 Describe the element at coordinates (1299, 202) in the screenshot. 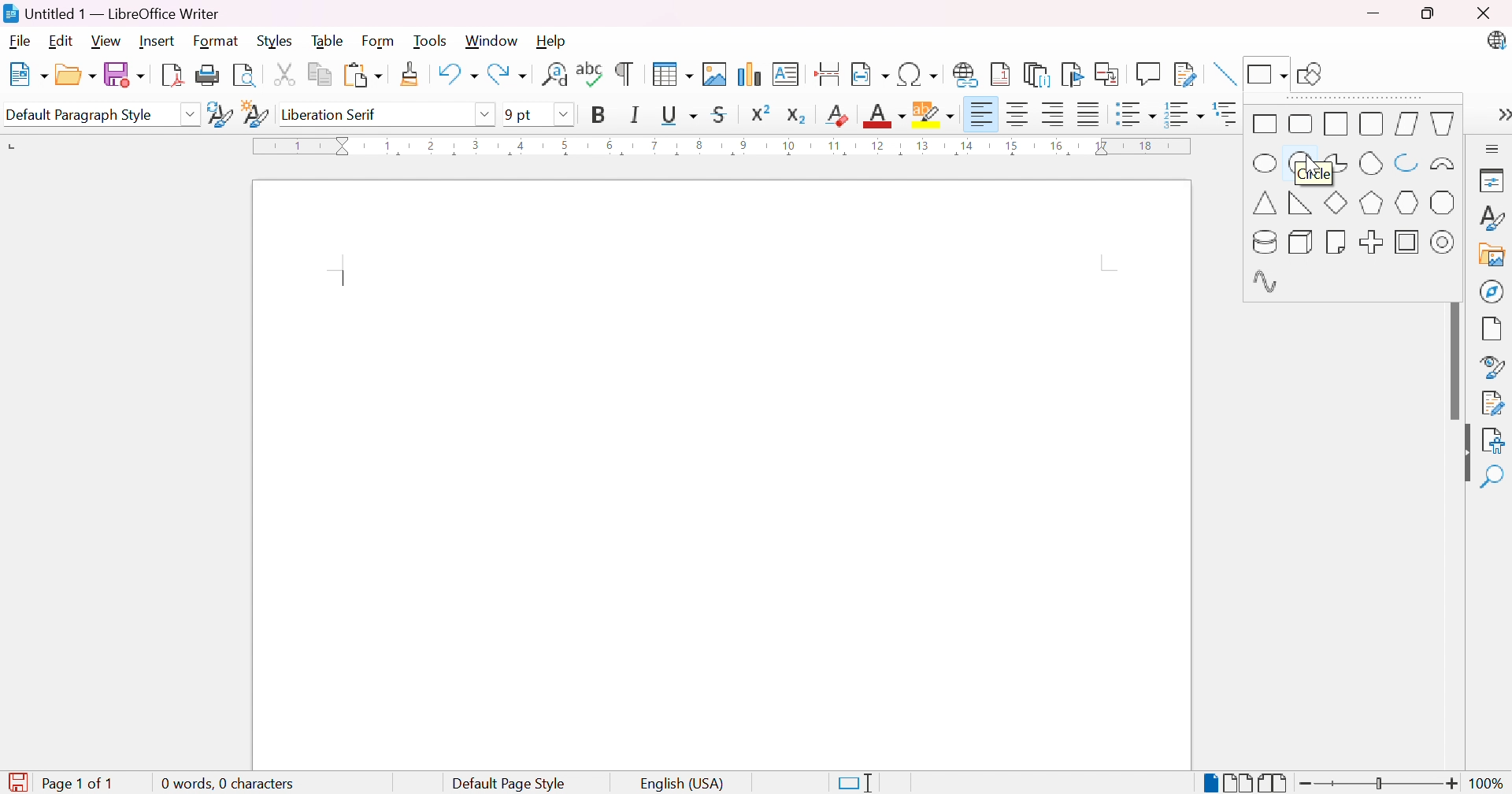

I see `Right triangle` at that location.